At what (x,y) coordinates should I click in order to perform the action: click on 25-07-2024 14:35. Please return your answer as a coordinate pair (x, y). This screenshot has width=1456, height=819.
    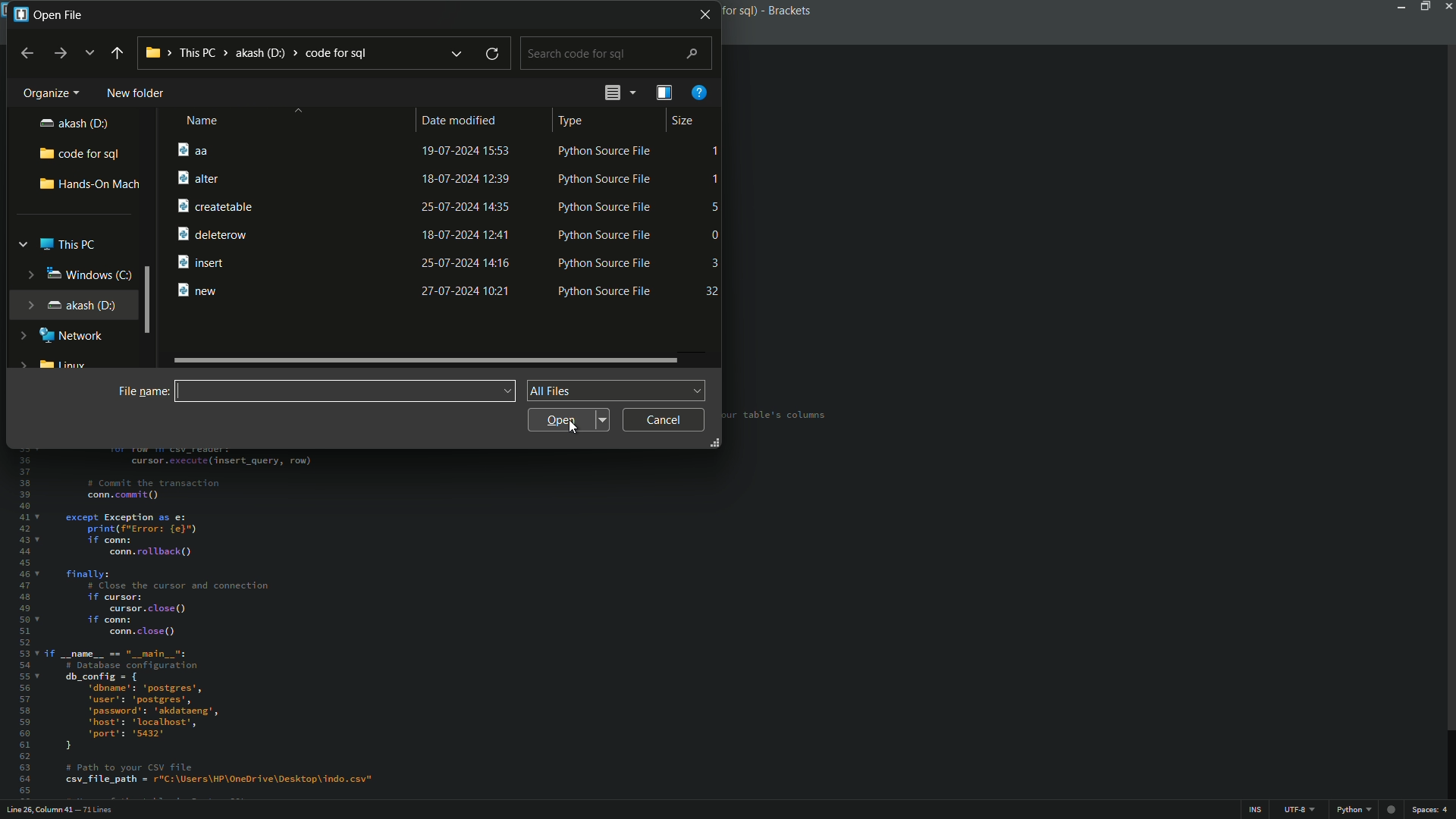
    Looking at the image, I should click on (466, 207).